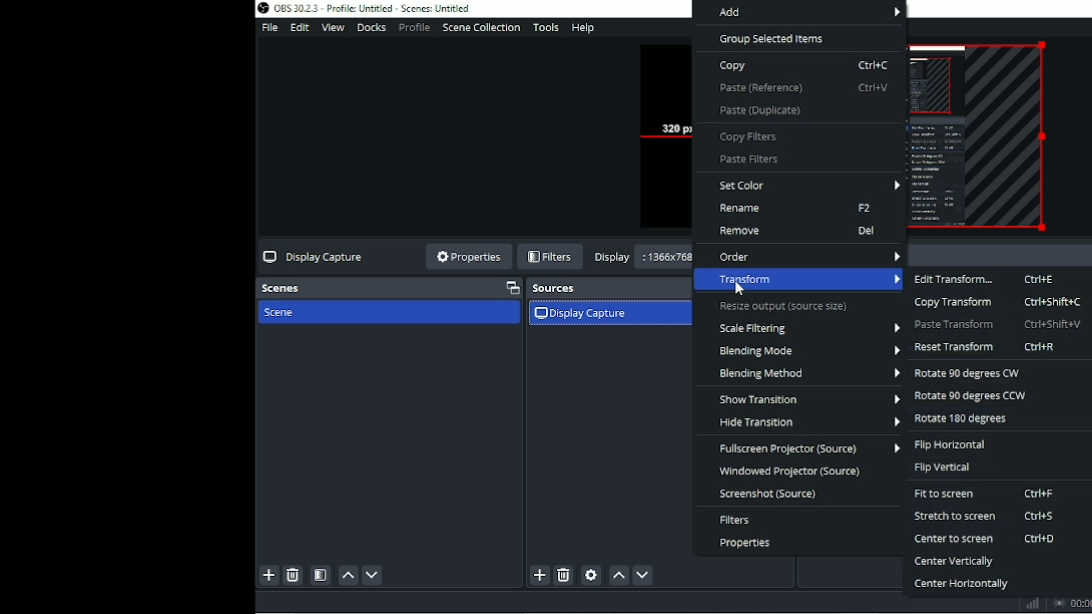  I want to click on Graph, so click(1029, 602).